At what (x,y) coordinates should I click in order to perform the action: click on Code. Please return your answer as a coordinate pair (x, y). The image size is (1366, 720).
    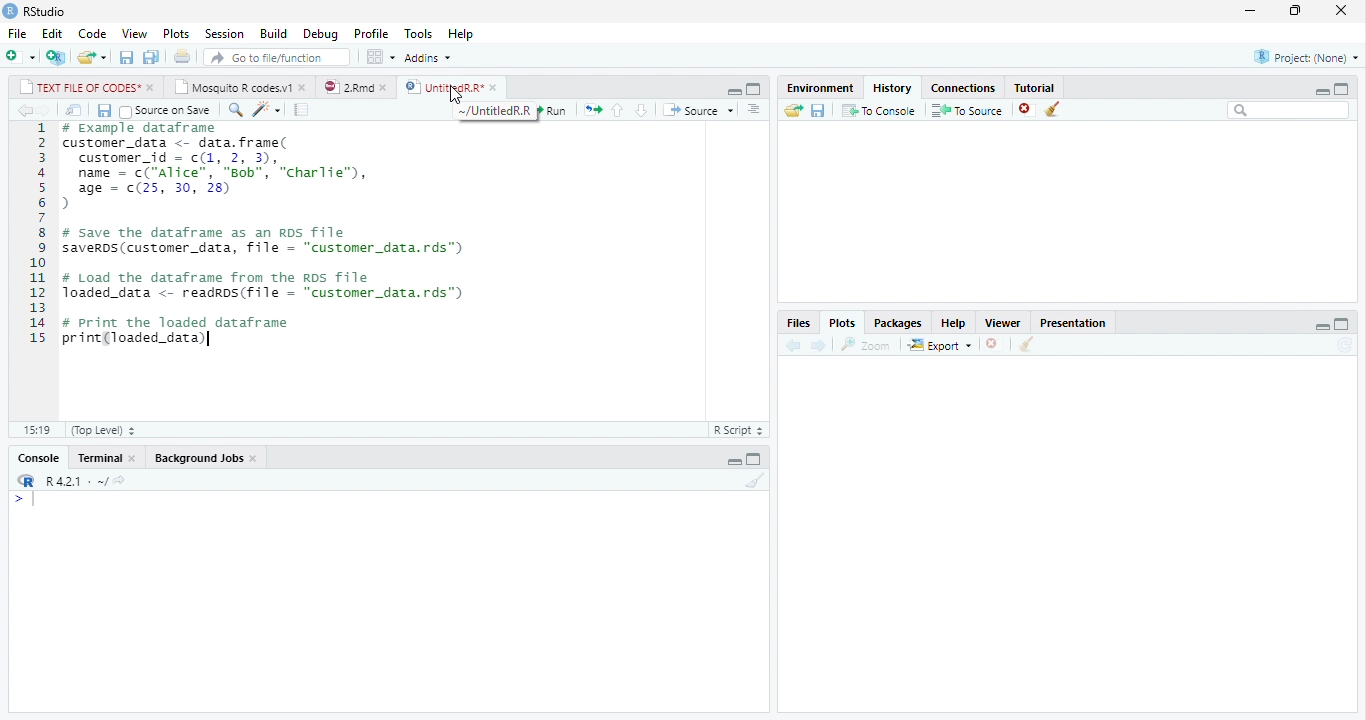
    Looking at the image, I should click on (92, 34).